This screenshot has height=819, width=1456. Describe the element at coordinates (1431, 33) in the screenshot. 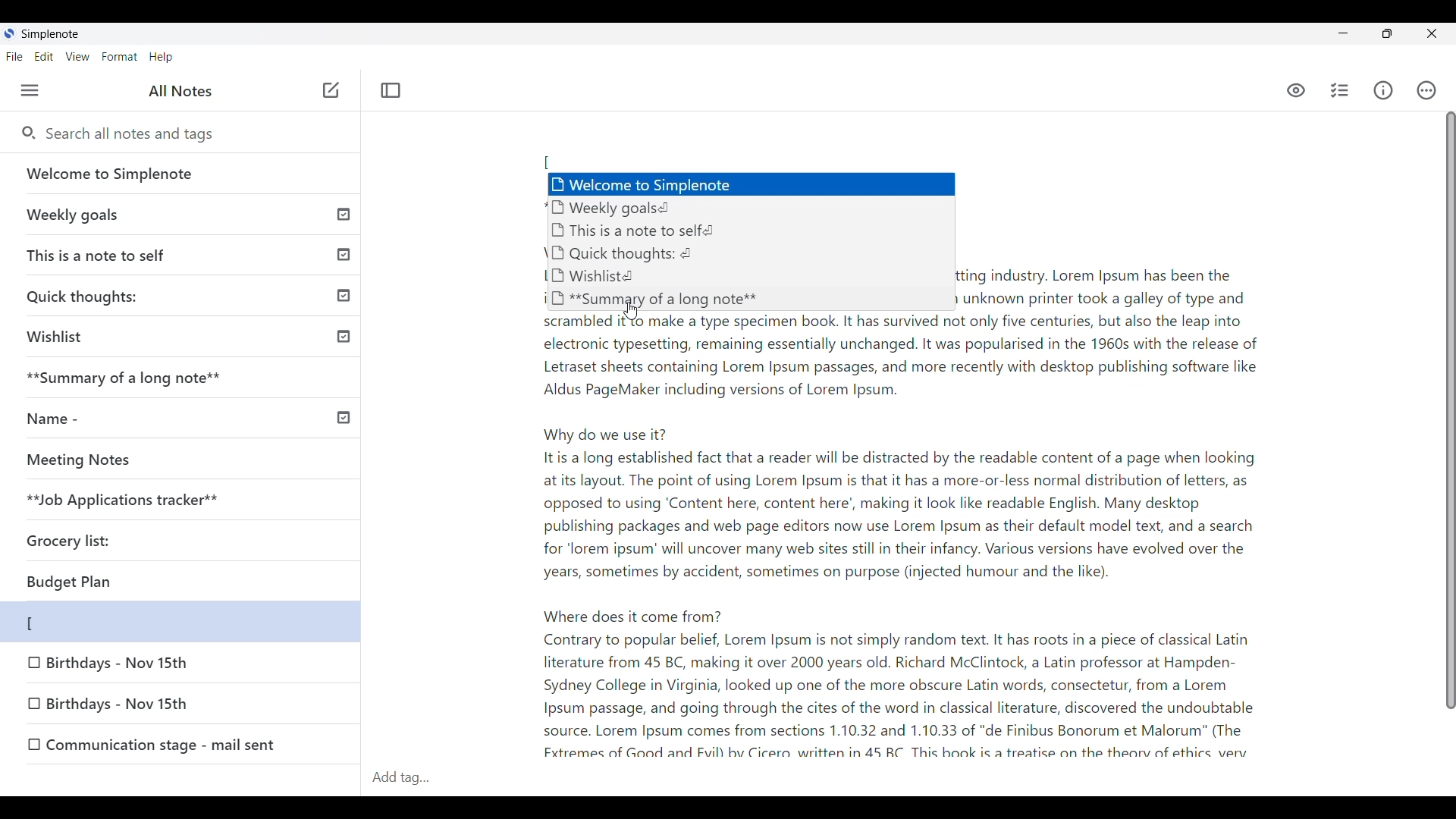

I see `Close interface` at that location.